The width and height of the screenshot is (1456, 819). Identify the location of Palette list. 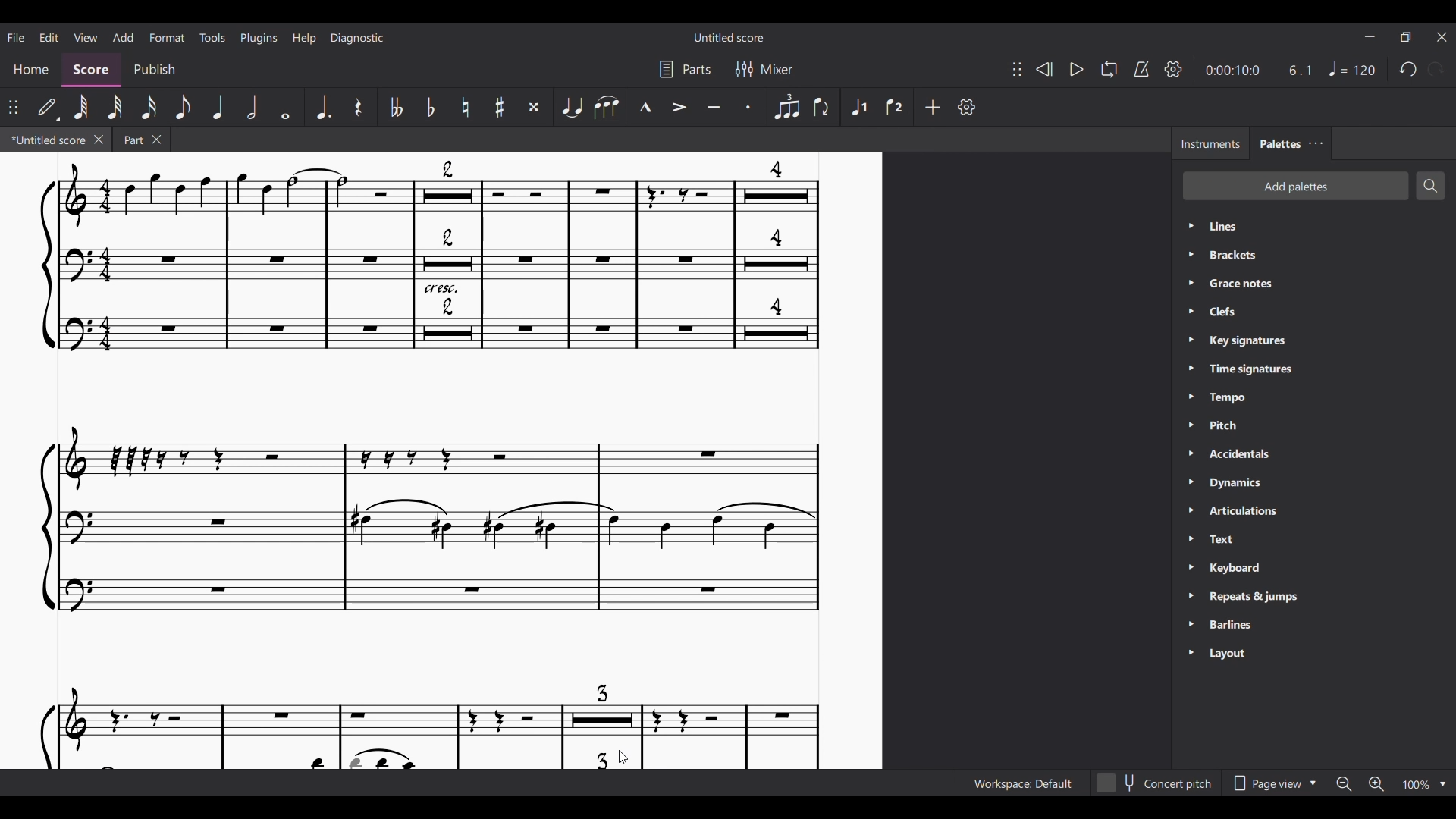
(1329, 441).